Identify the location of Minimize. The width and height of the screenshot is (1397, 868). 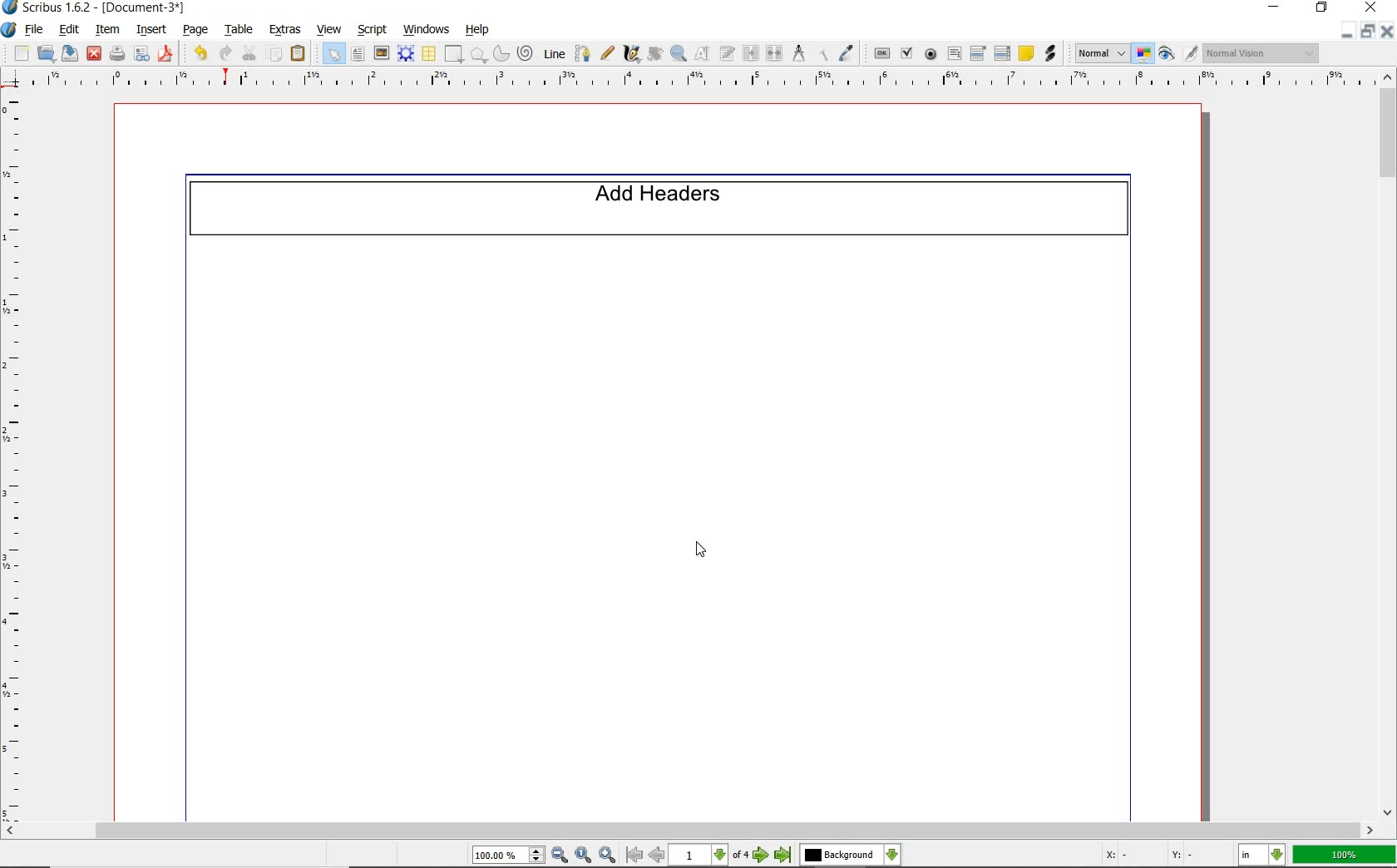
(1348, 32).